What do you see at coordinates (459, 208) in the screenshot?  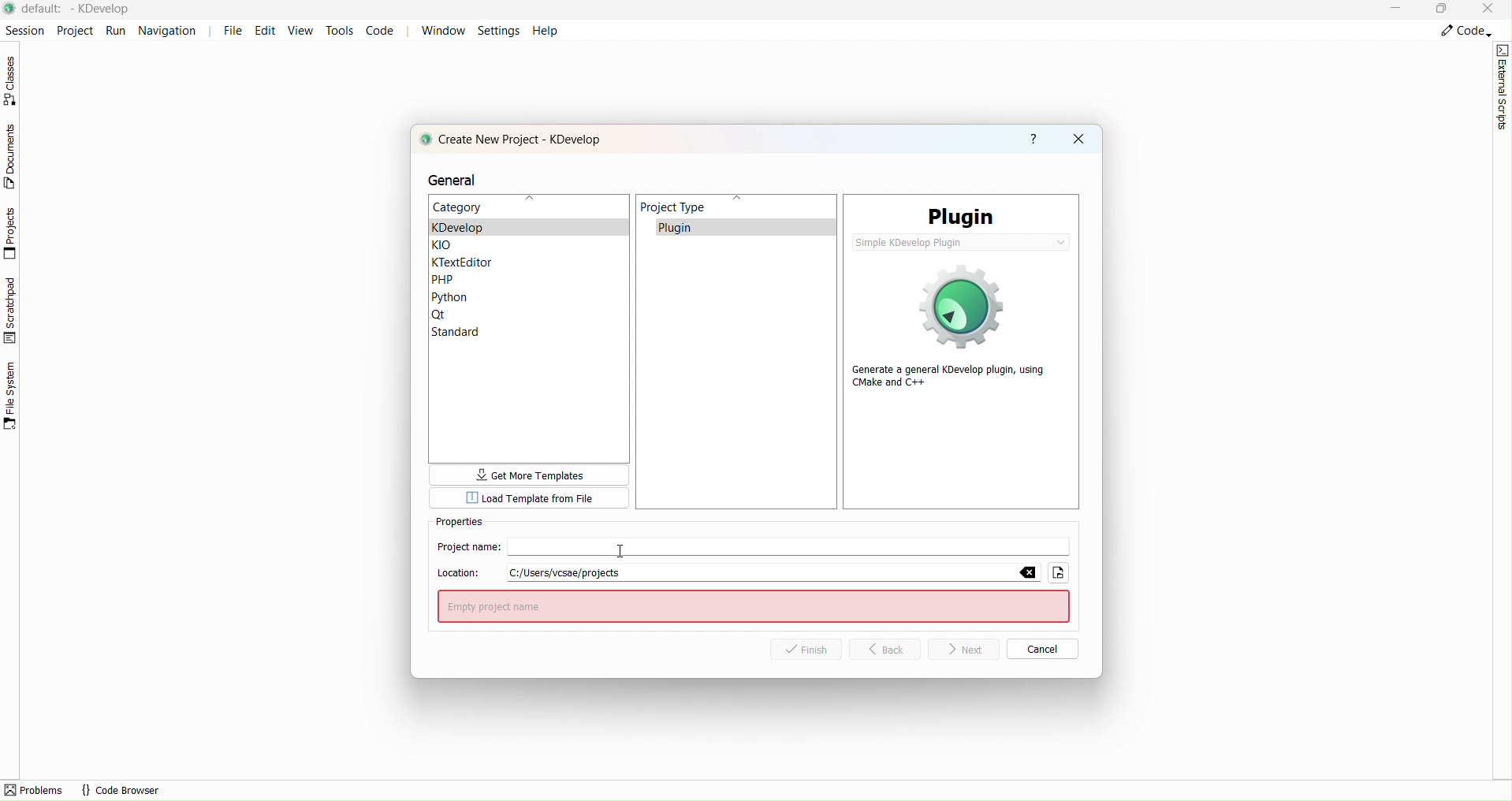 I see `Category` at bounding box center [459, 208].